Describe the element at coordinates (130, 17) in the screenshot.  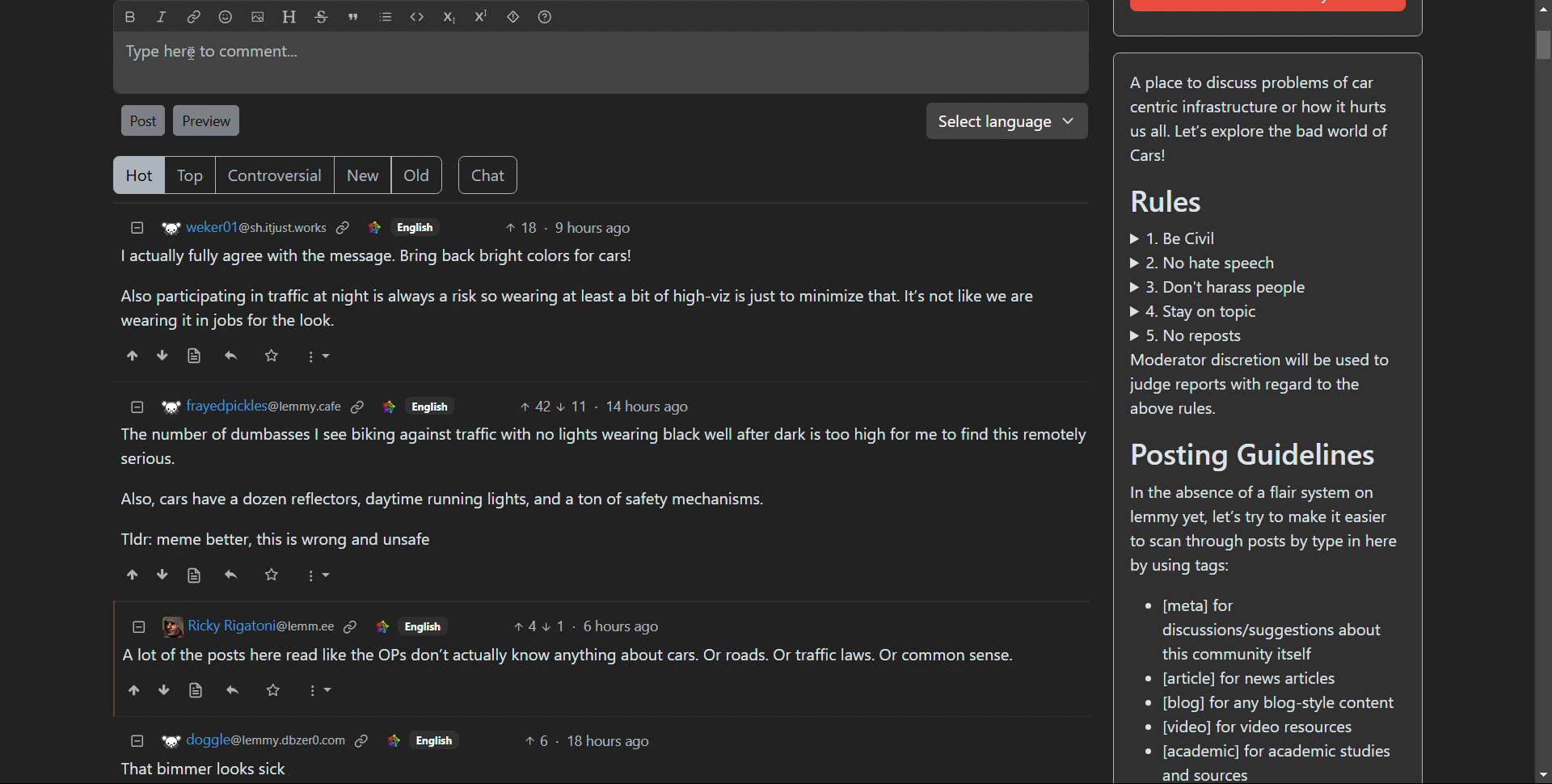
I see `bold` at that location.